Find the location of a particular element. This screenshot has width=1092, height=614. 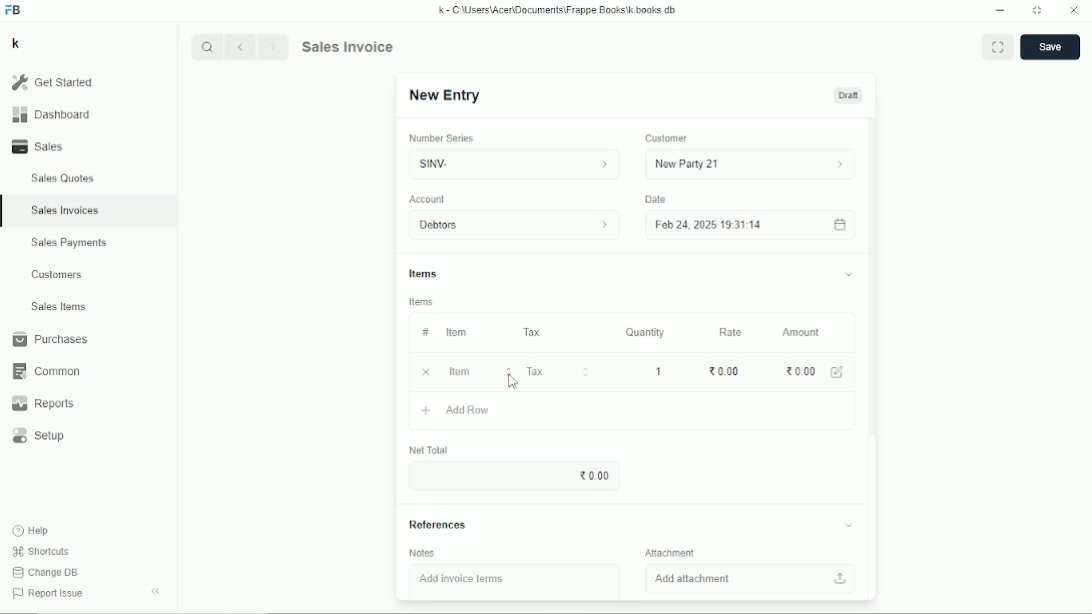

Save is located at coordinates (1050, 47).